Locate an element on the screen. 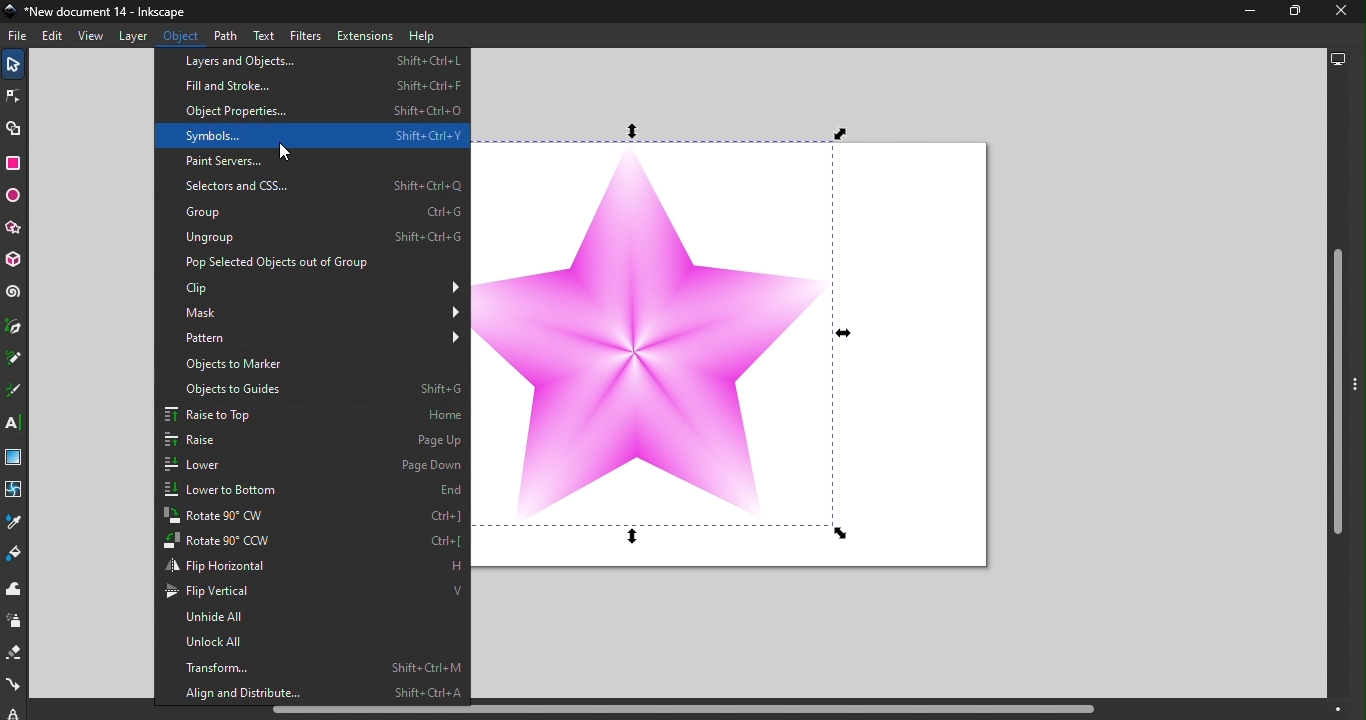 The height and width of the screenshot is (720, 1366). Gradient tool is located at coordinates (15, 458).